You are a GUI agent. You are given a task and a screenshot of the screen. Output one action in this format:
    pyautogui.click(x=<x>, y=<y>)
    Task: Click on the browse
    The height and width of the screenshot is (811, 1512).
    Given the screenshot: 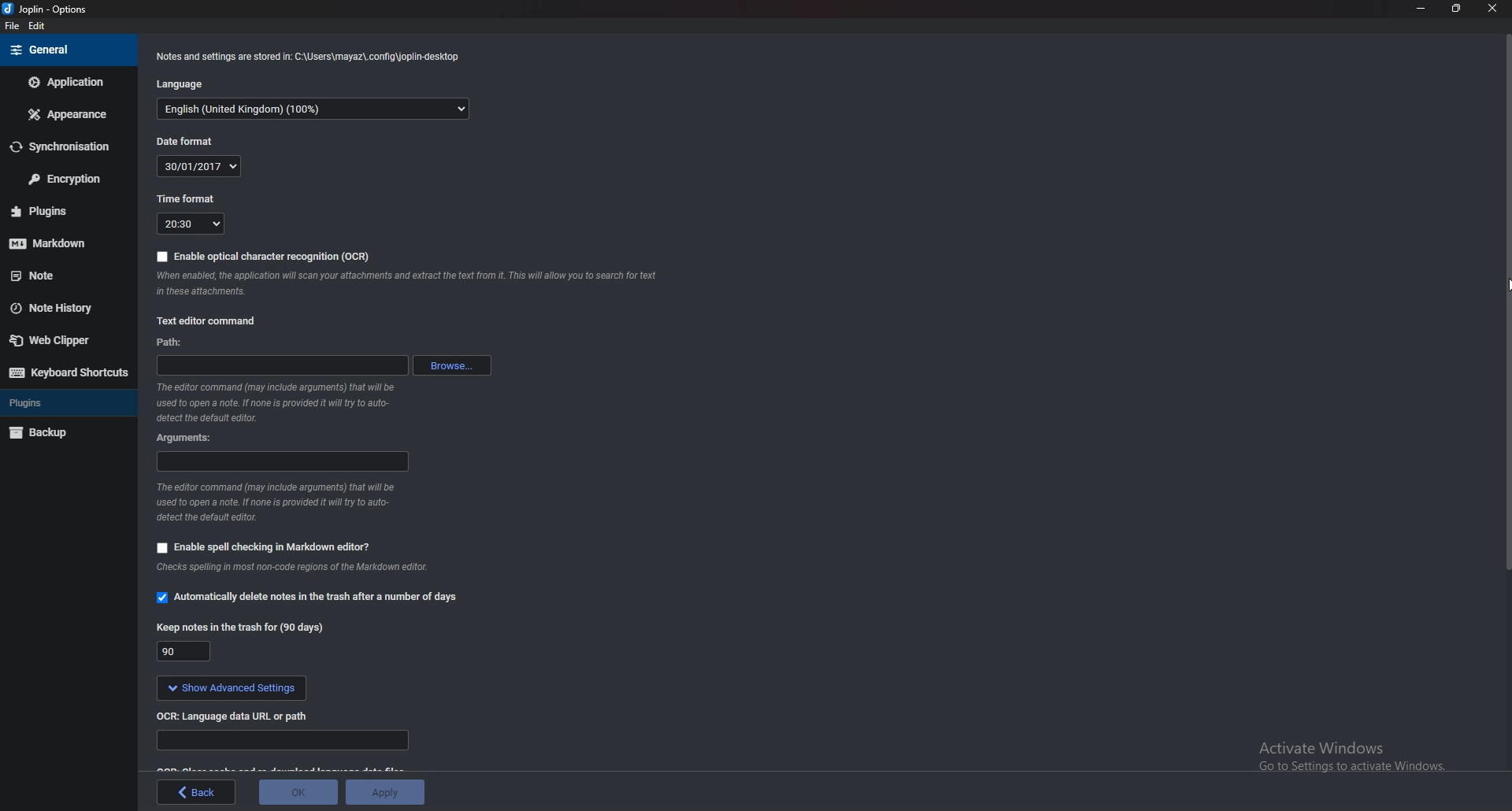 What is the action you would take?
    pyautogui.click(x=451, y=364)
    